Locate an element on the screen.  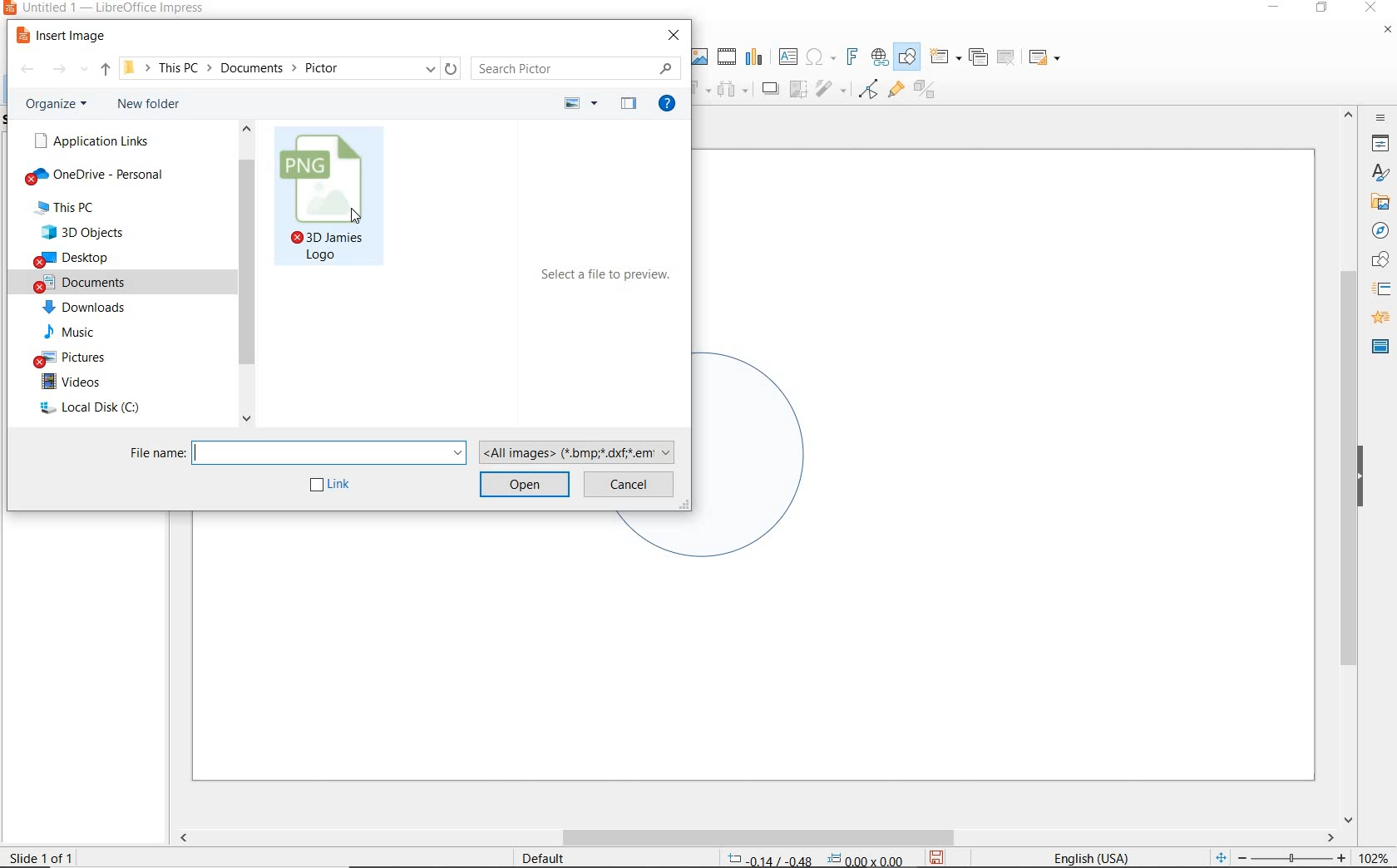
downloads is located at coordinates (87, 308).